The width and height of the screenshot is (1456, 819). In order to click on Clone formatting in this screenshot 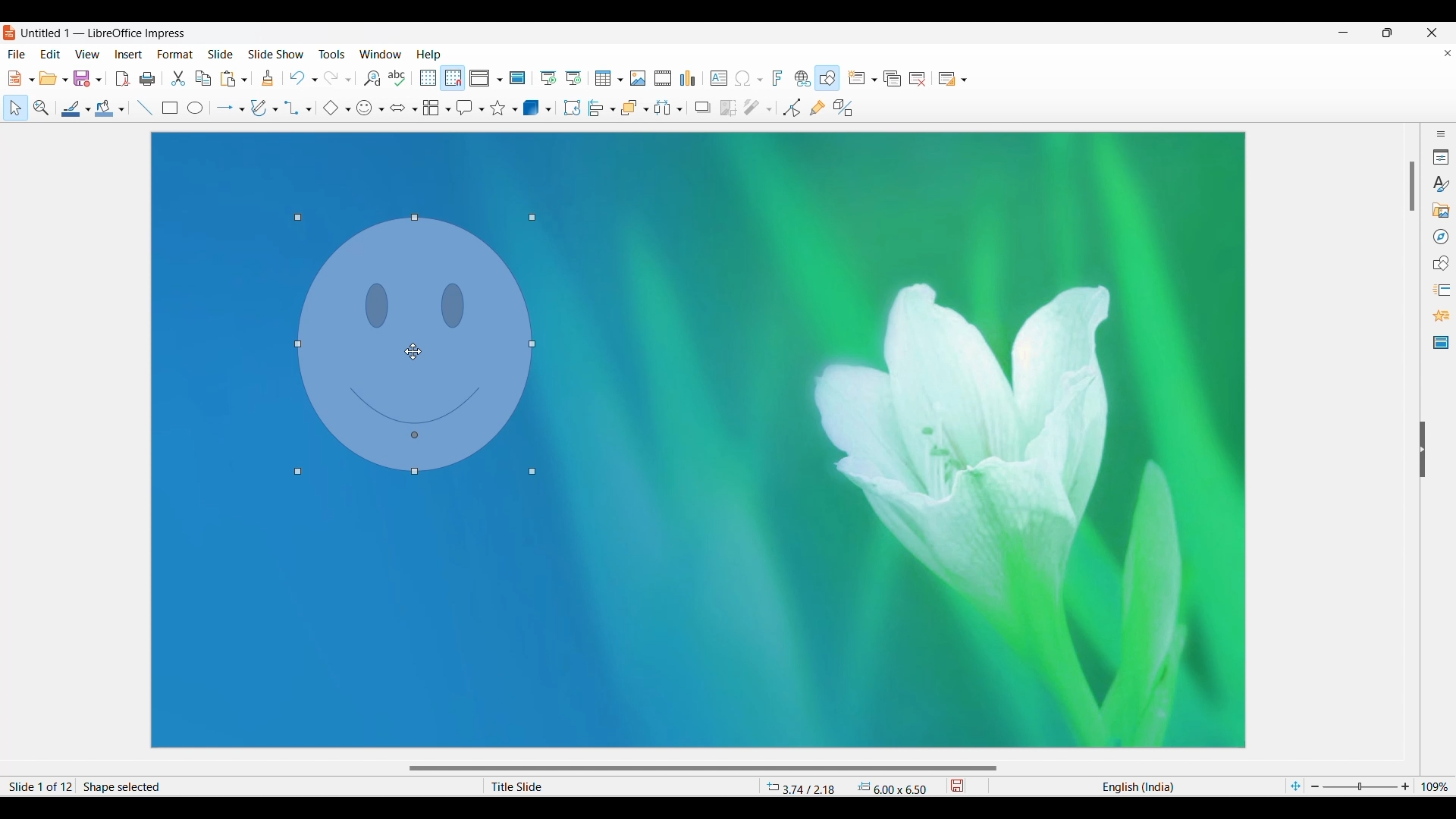, I will do `click(268, 77)`.